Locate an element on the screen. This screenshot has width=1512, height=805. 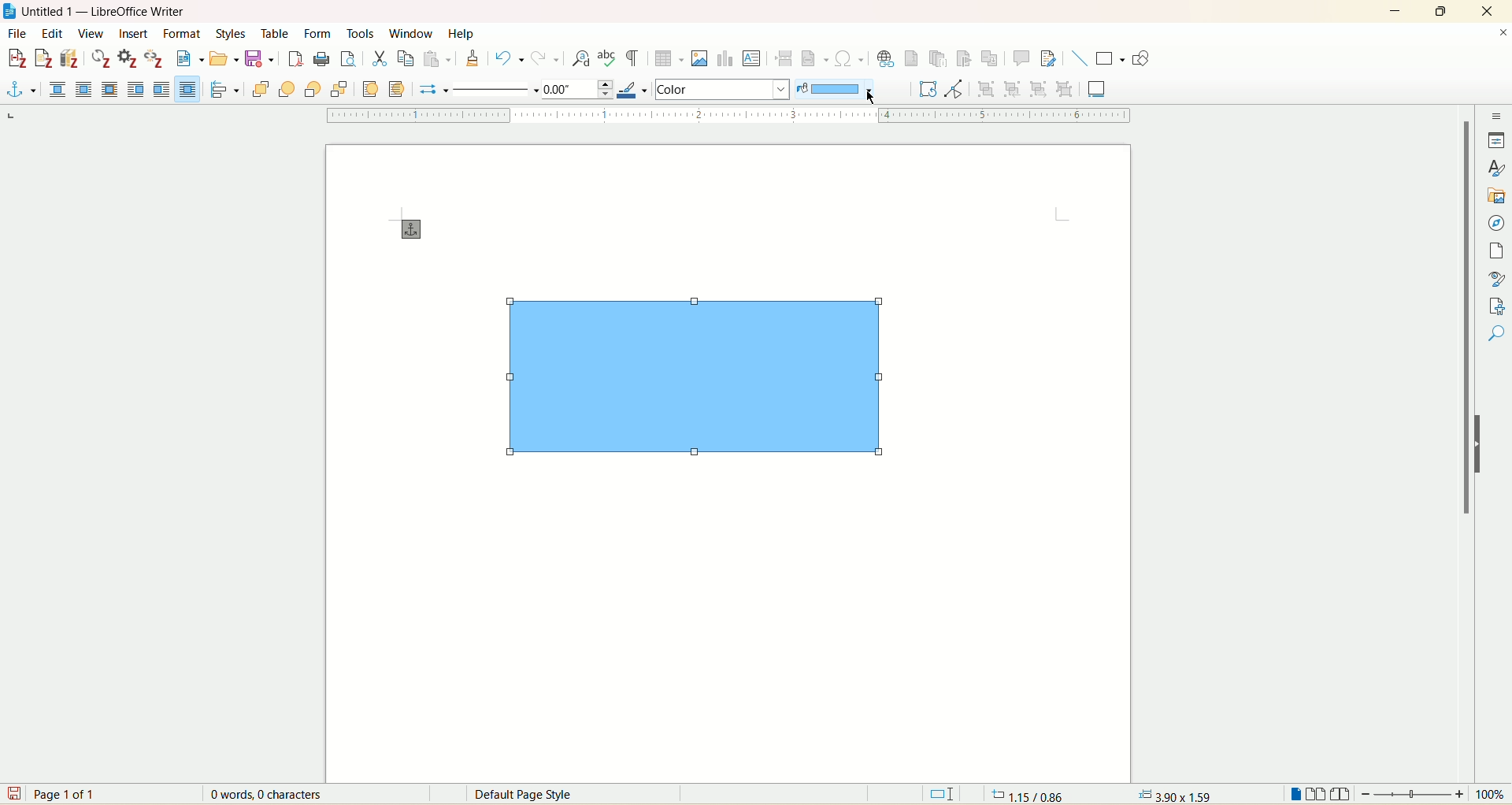
before is located at coordinates (136, 89).